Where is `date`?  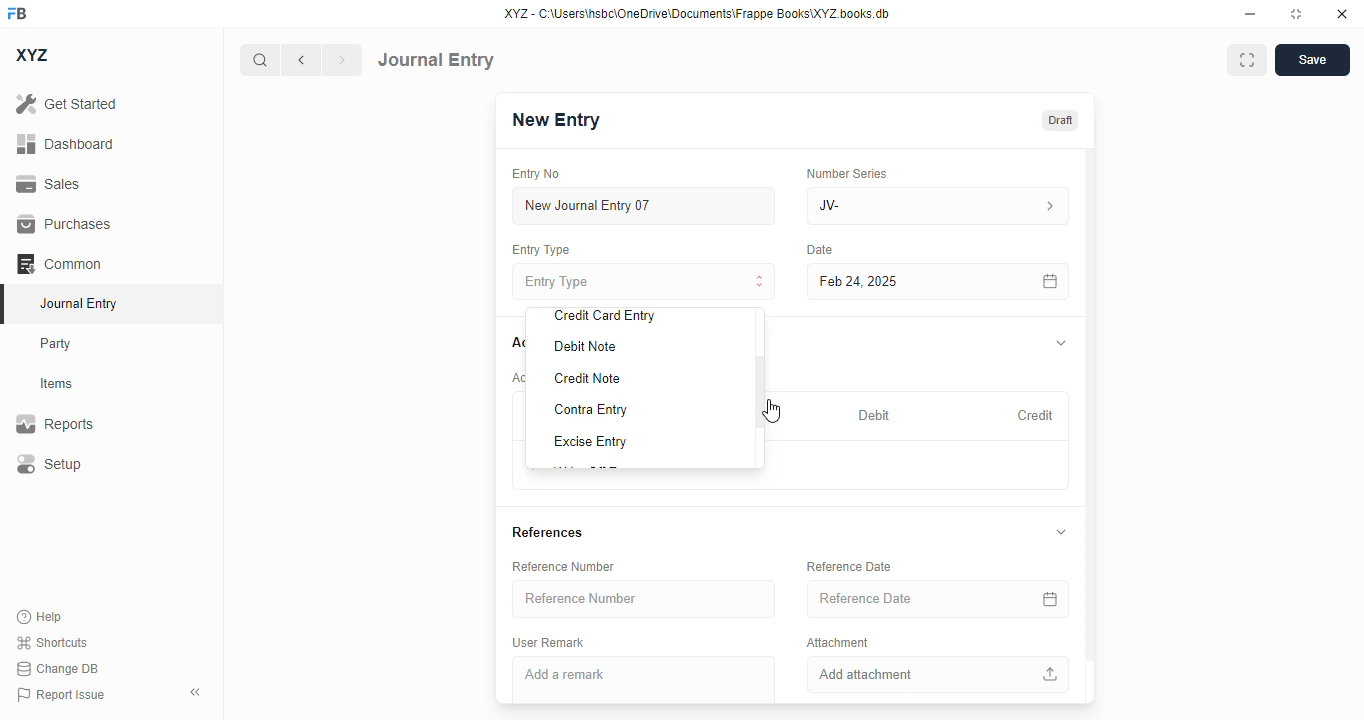
date is located at coordinates (820, 250).